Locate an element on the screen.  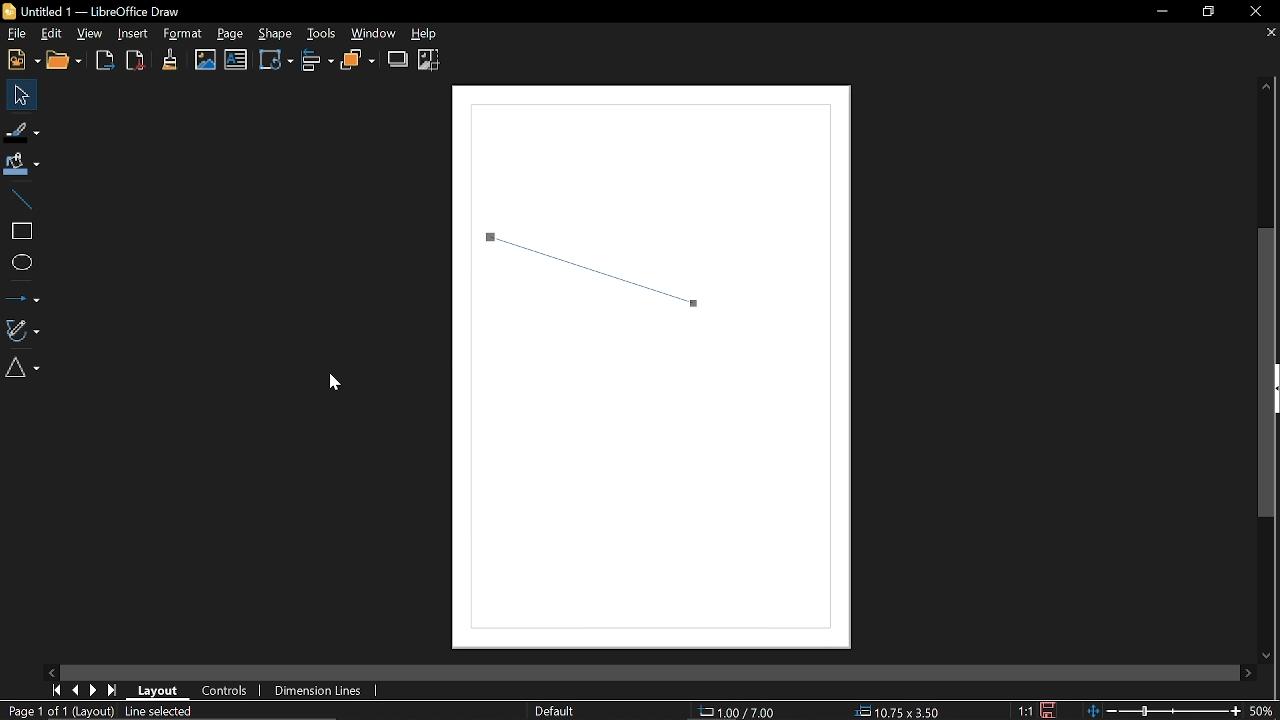
Close is located at coordinates (1256, 13).